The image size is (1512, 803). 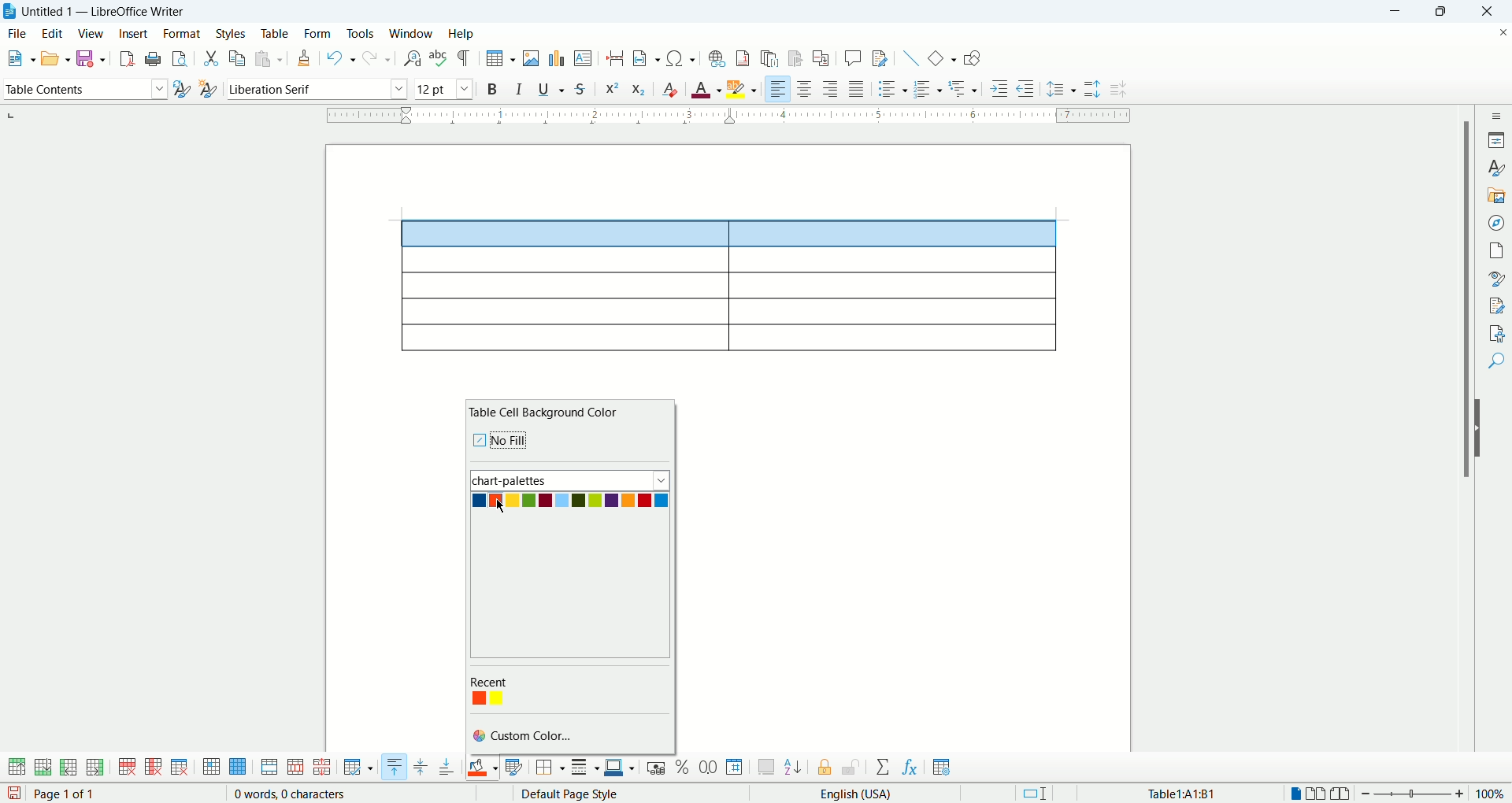 I want to click on properties, so click(x=1496, y=139).